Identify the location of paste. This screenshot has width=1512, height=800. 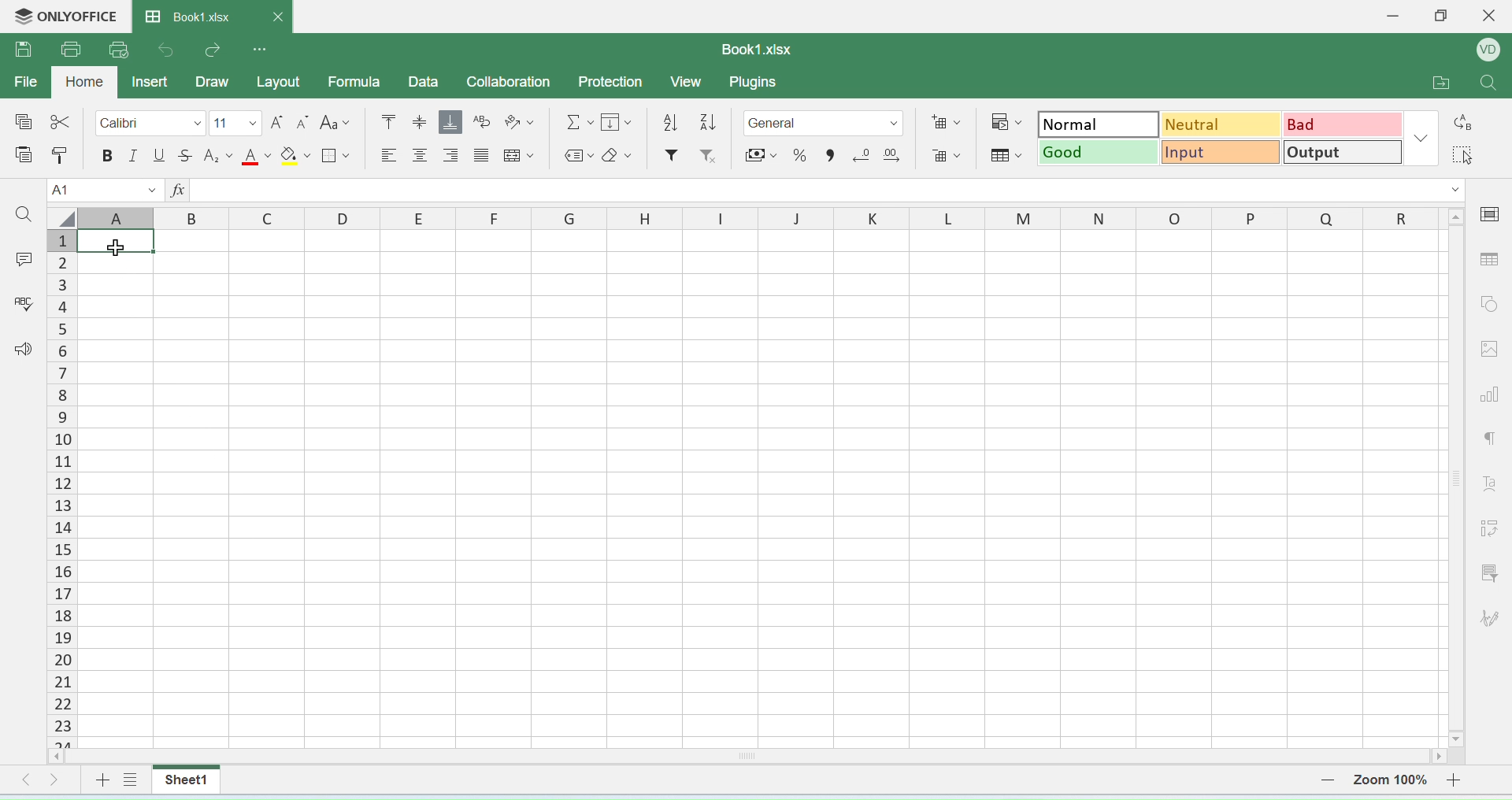
(26, 157).